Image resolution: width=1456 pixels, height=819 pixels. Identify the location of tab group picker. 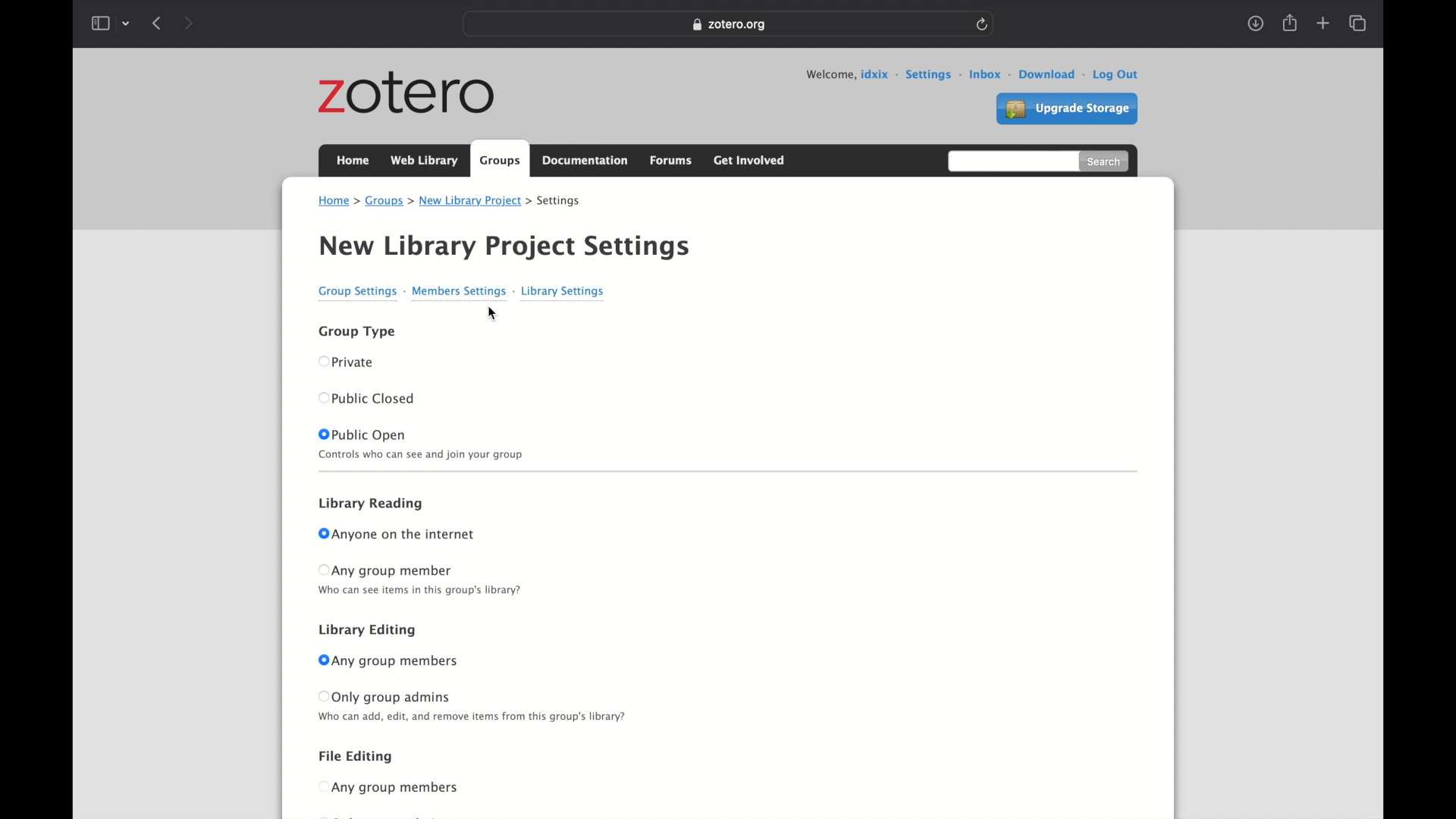
(127, 23).